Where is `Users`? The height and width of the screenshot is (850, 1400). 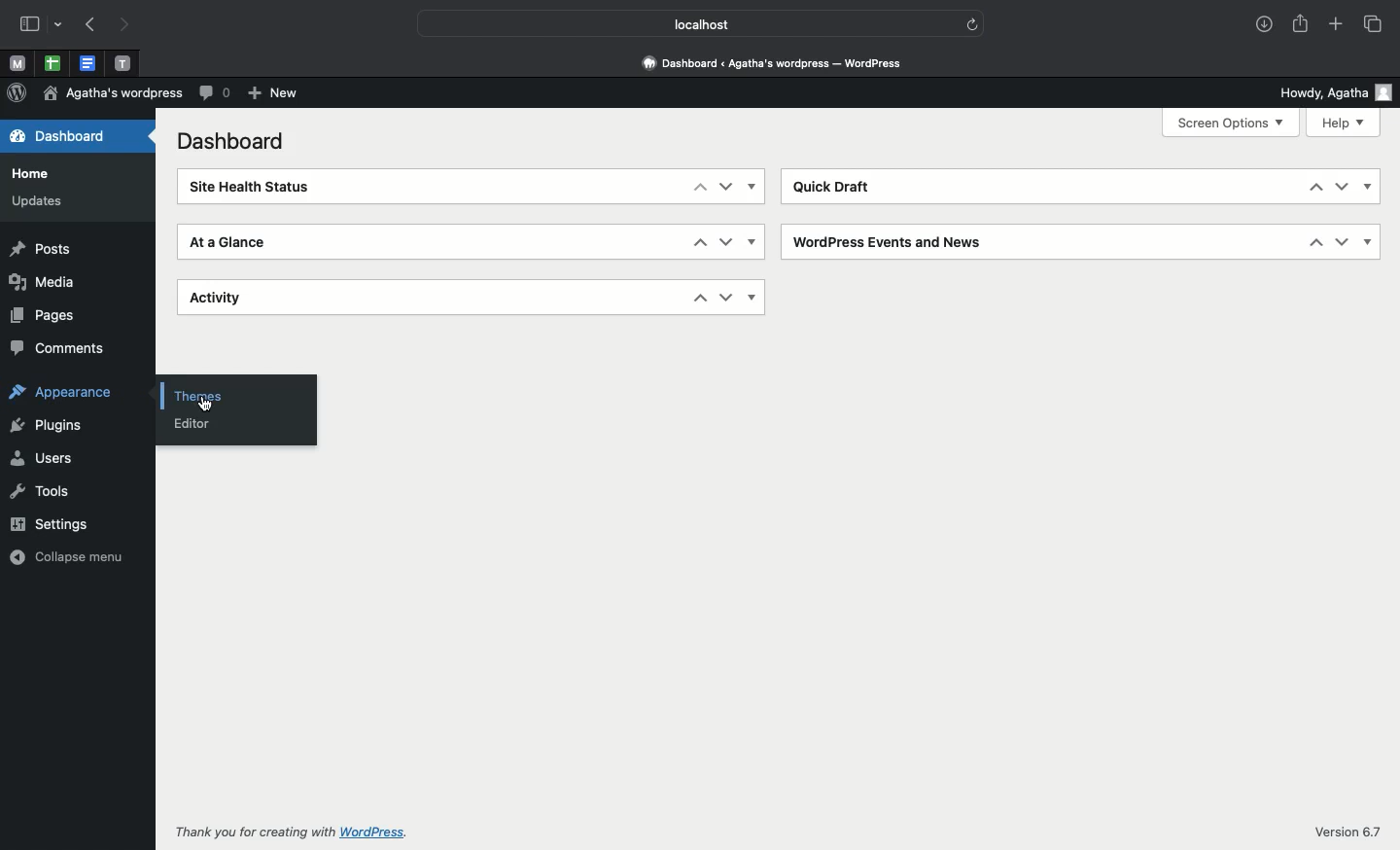
Users is located at coordinates (40, 458).